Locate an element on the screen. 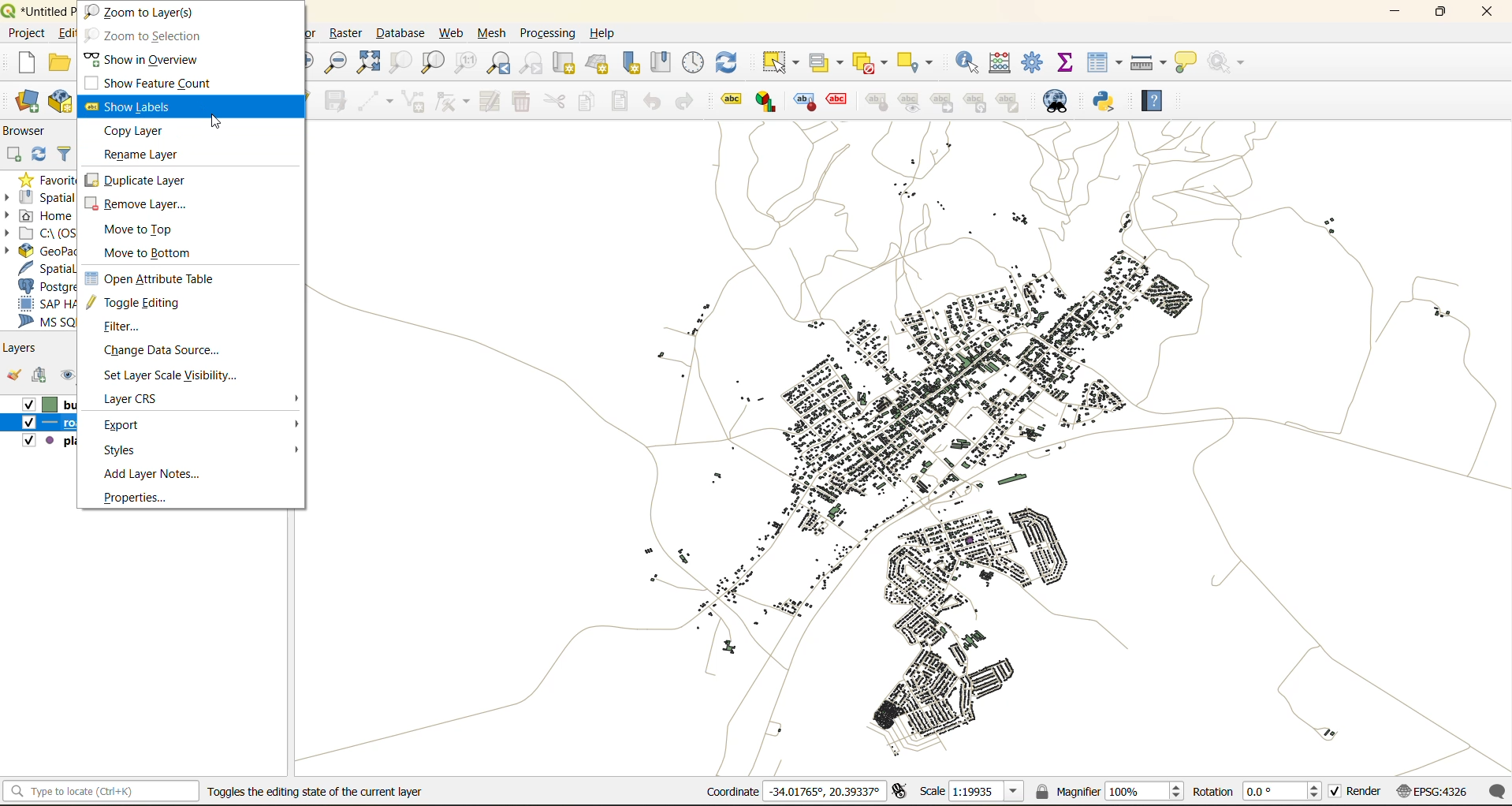  save edits is located at coordinates (336, 102).